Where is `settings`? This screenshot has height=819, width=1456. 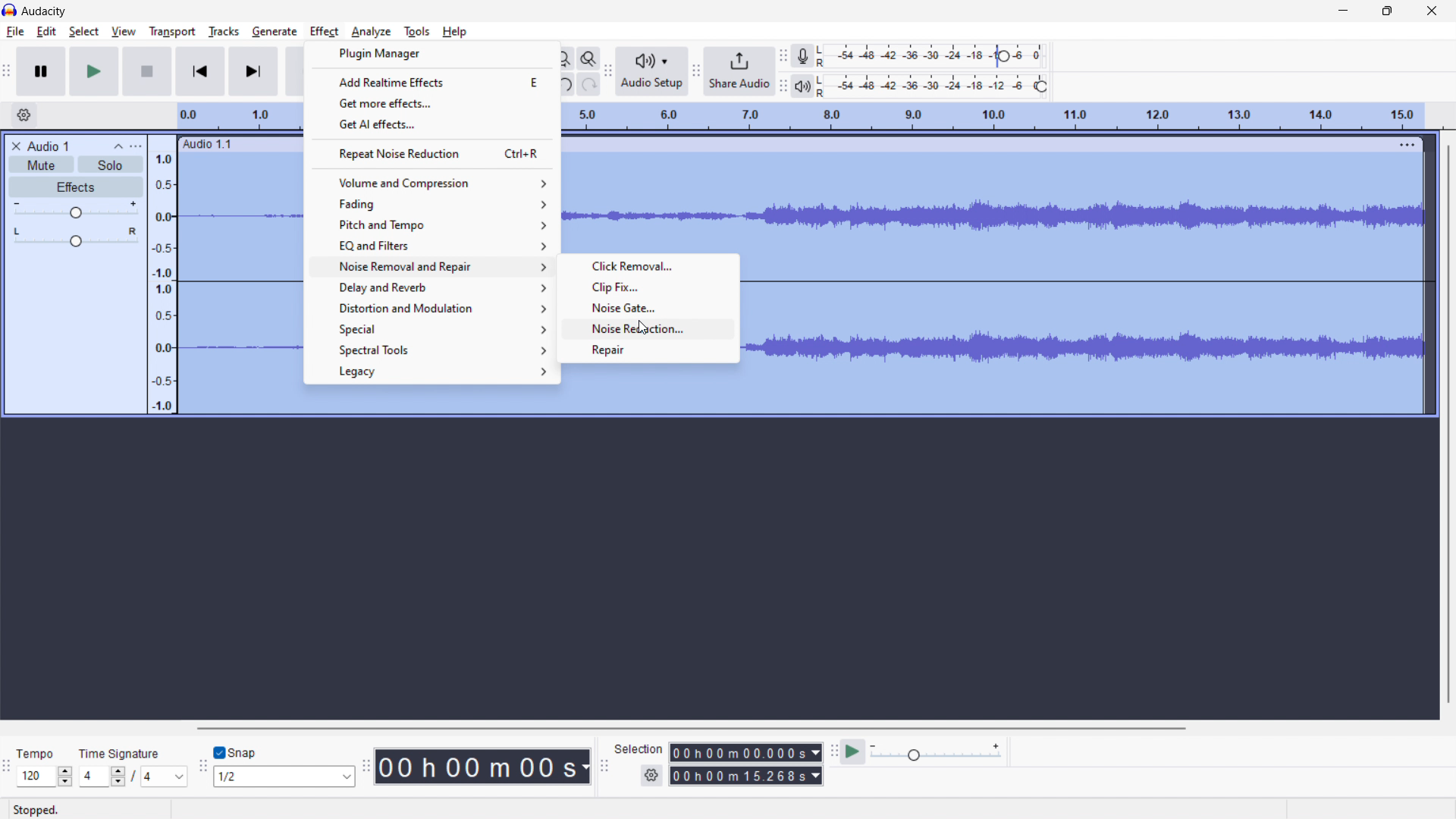
settings is located at coordinates (651, 776).